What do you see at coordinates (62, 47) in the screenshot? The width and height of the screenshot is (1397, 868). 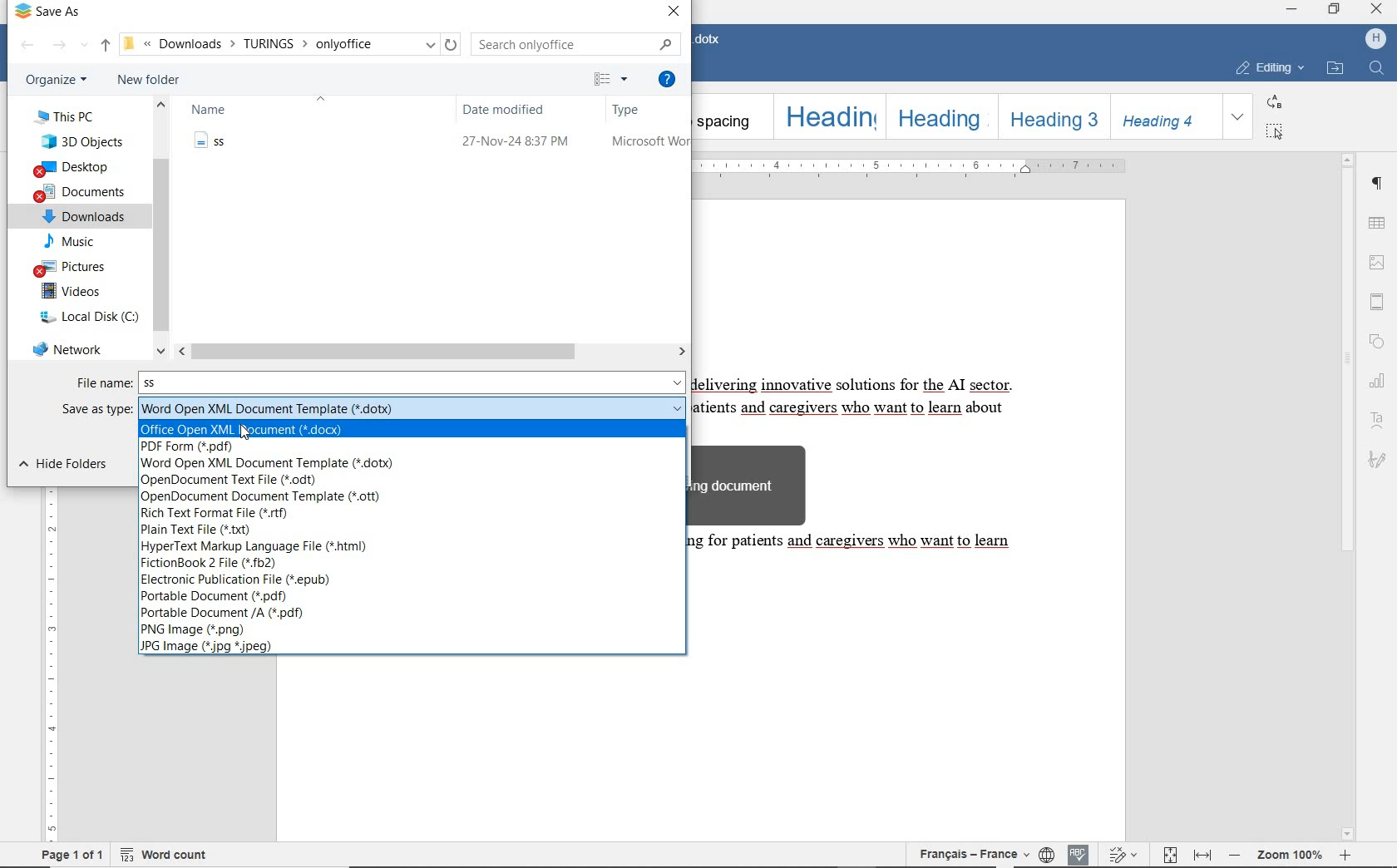 I see `FORWARD` at bounding box center [62, 47].